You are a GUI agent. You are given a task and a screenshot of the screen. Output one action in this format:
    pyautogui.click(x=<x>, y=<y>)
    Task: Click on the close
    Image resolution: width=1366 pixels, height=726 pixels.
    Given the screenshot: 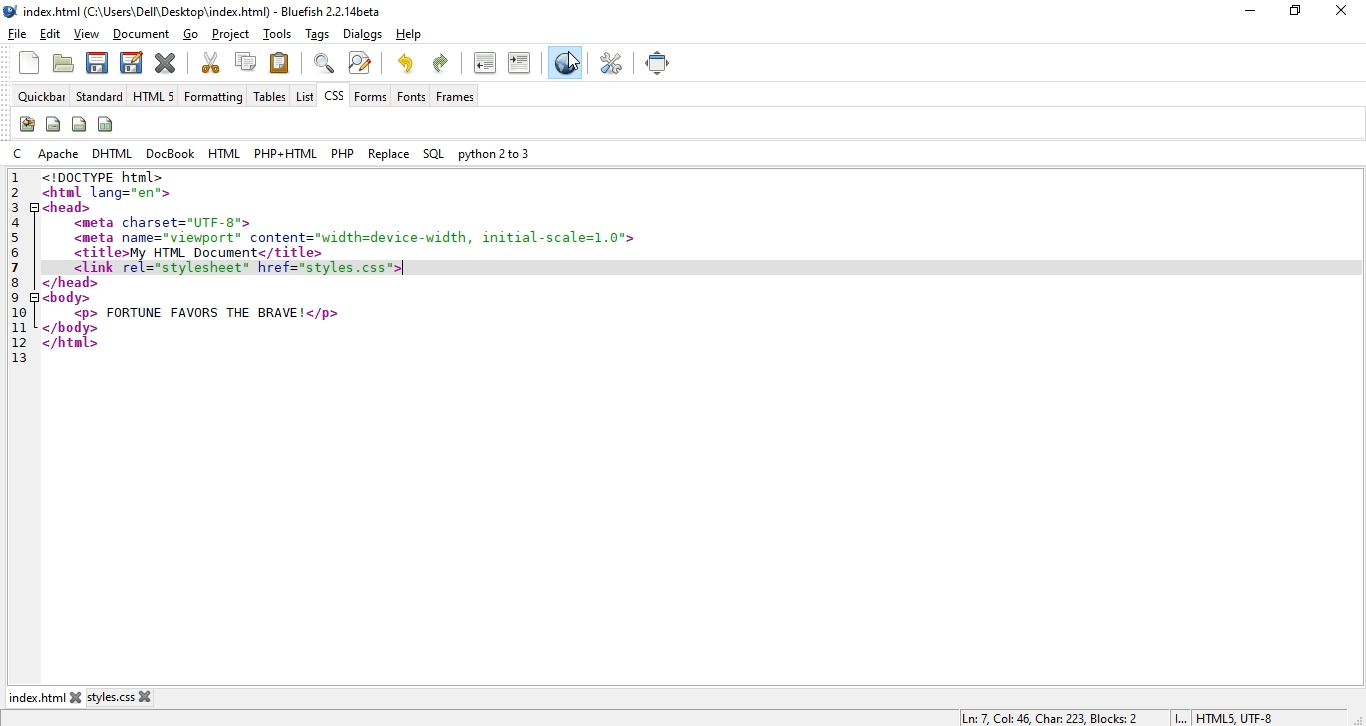 What is the action you would take?
    pyautogui.click(x=150, y=696)
    